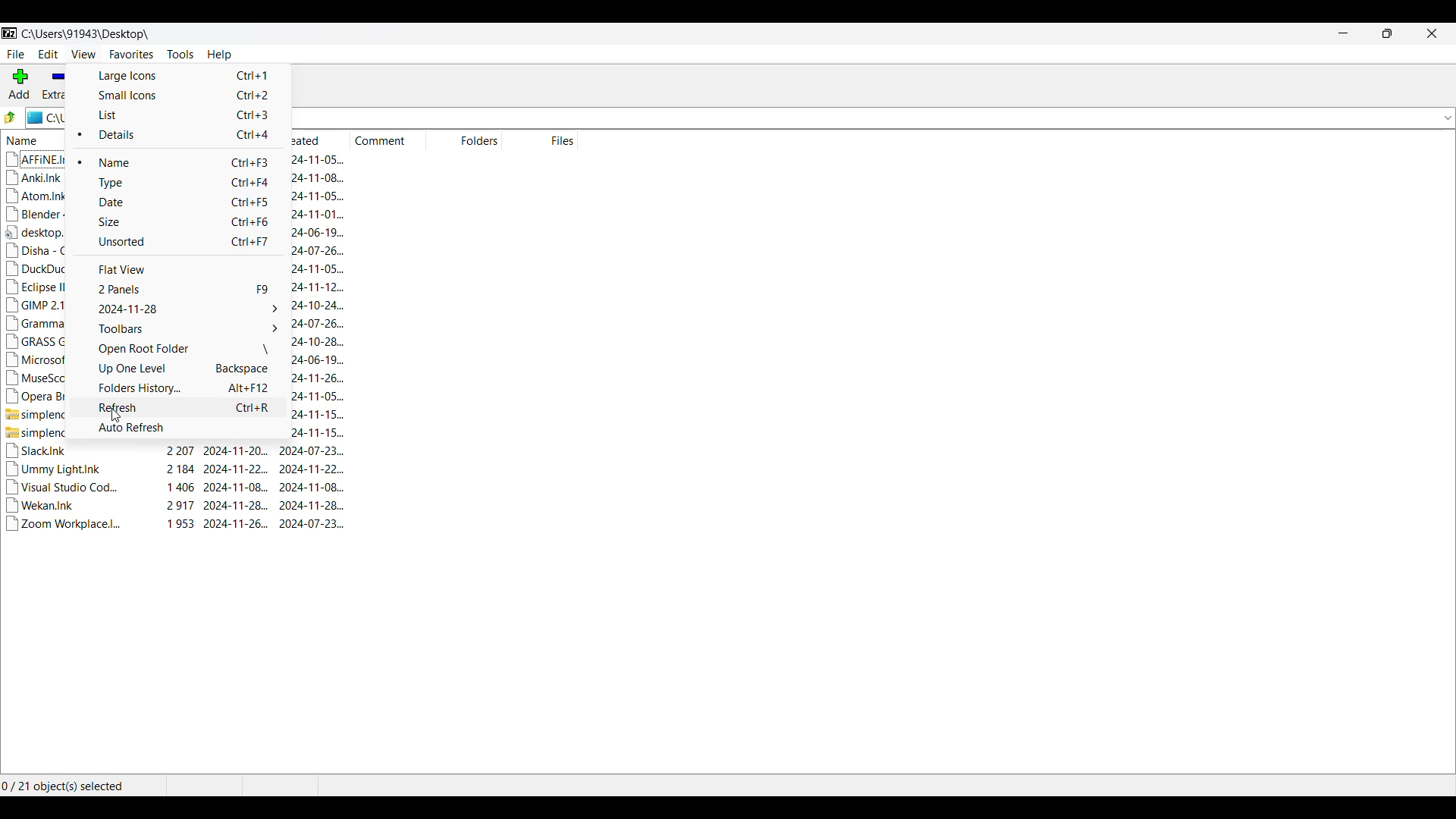  I want to click on Unsorted, so click(175, 243).